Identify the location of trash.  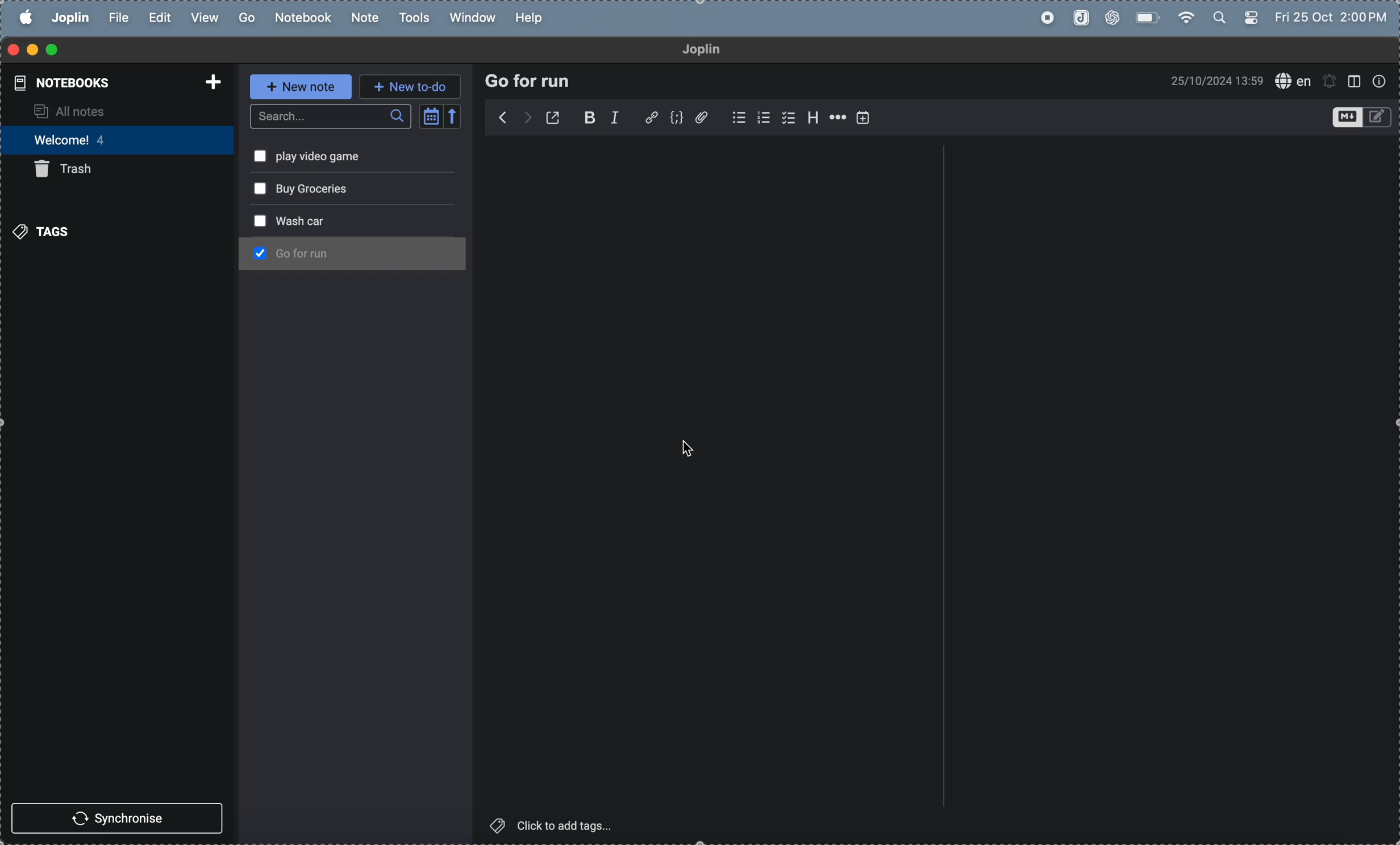
(110, 170).